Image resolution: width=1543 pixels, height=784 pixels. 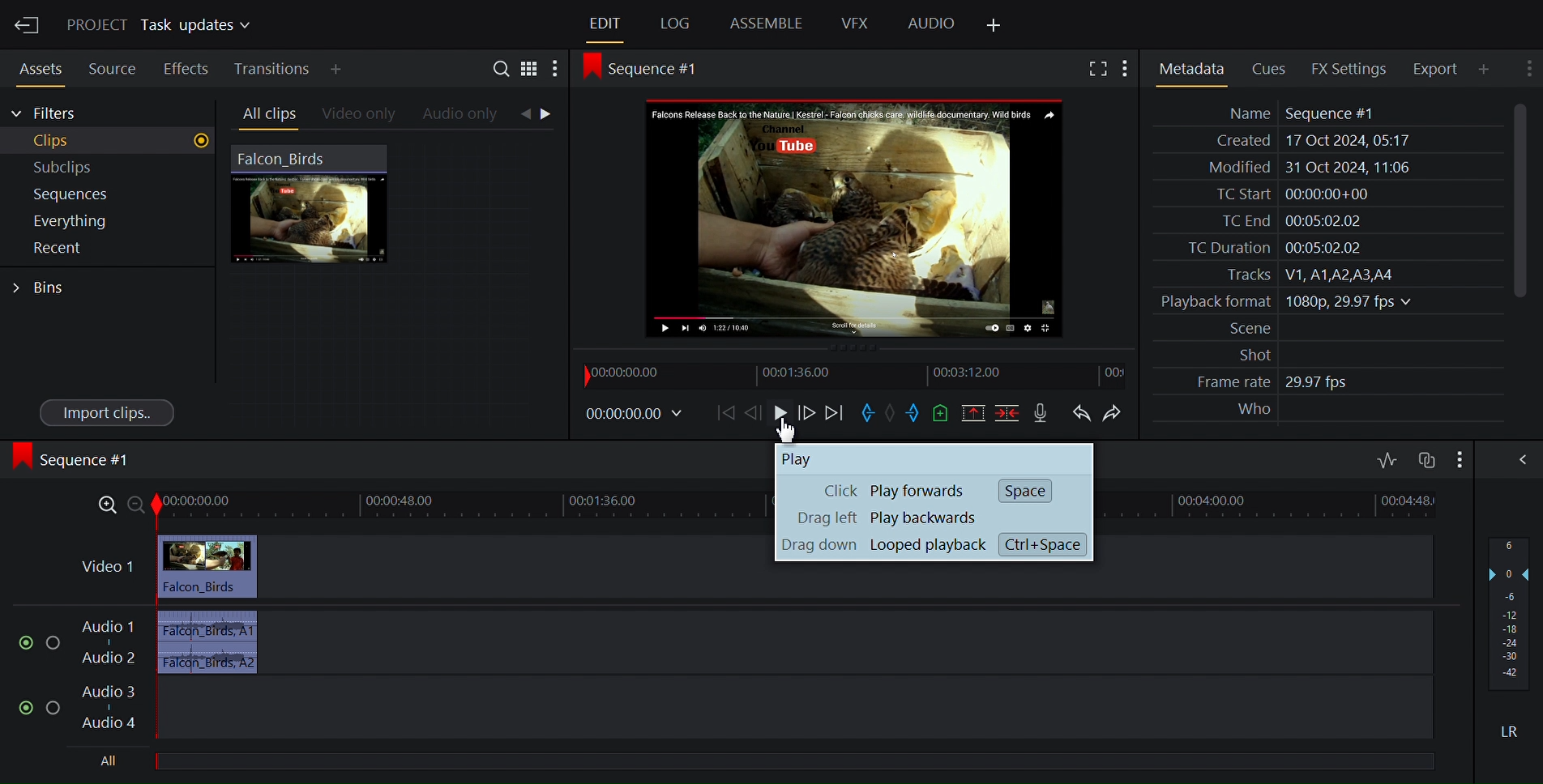 What do you see at coordinates (1425, 458) in the screenshot?
I see `Toggle audio track sync` at bounding box center [1425, 458].